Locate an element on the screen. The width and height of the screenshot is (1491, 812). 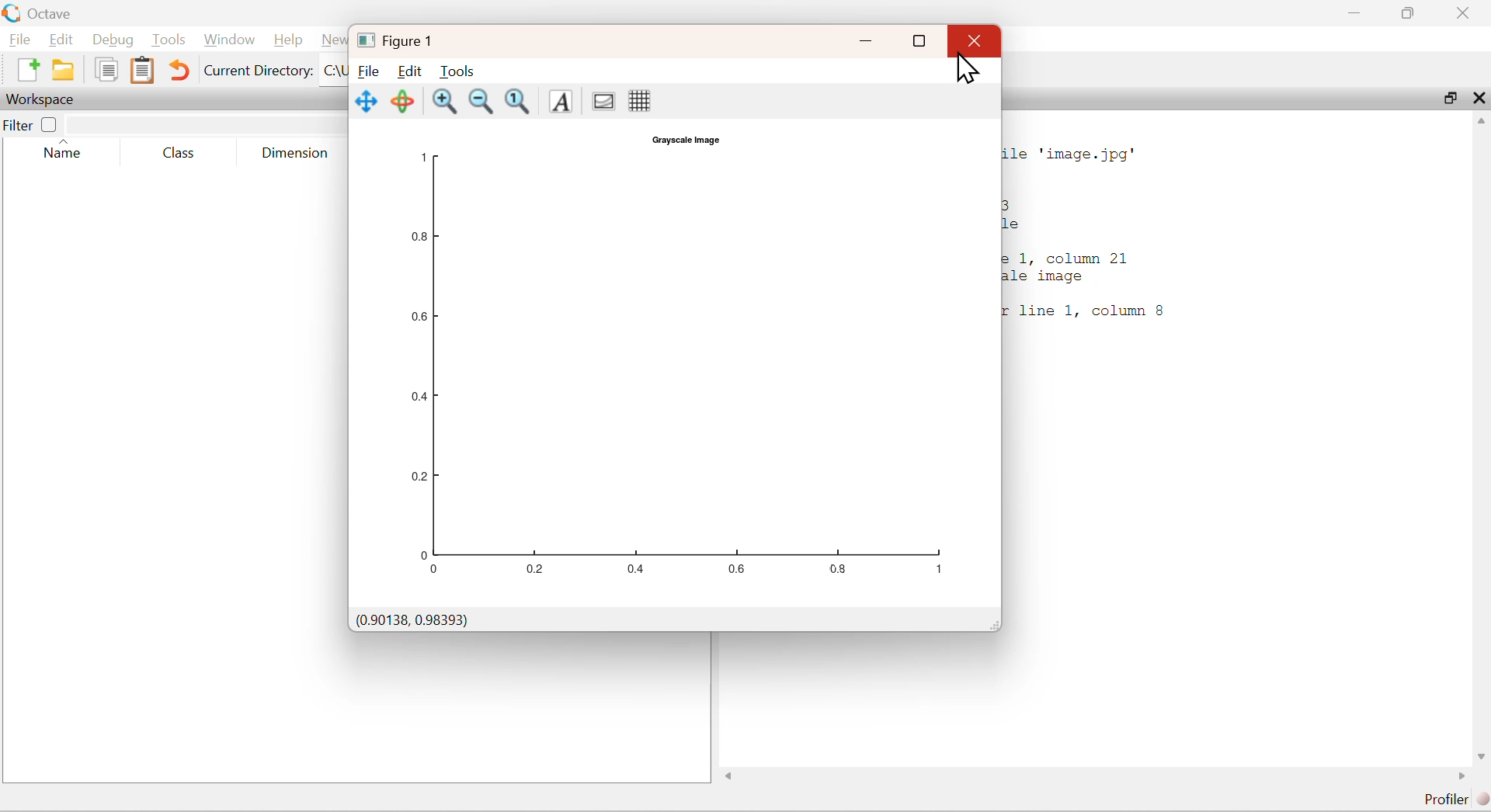
Current Directory: is located at coordinates (257, 68).